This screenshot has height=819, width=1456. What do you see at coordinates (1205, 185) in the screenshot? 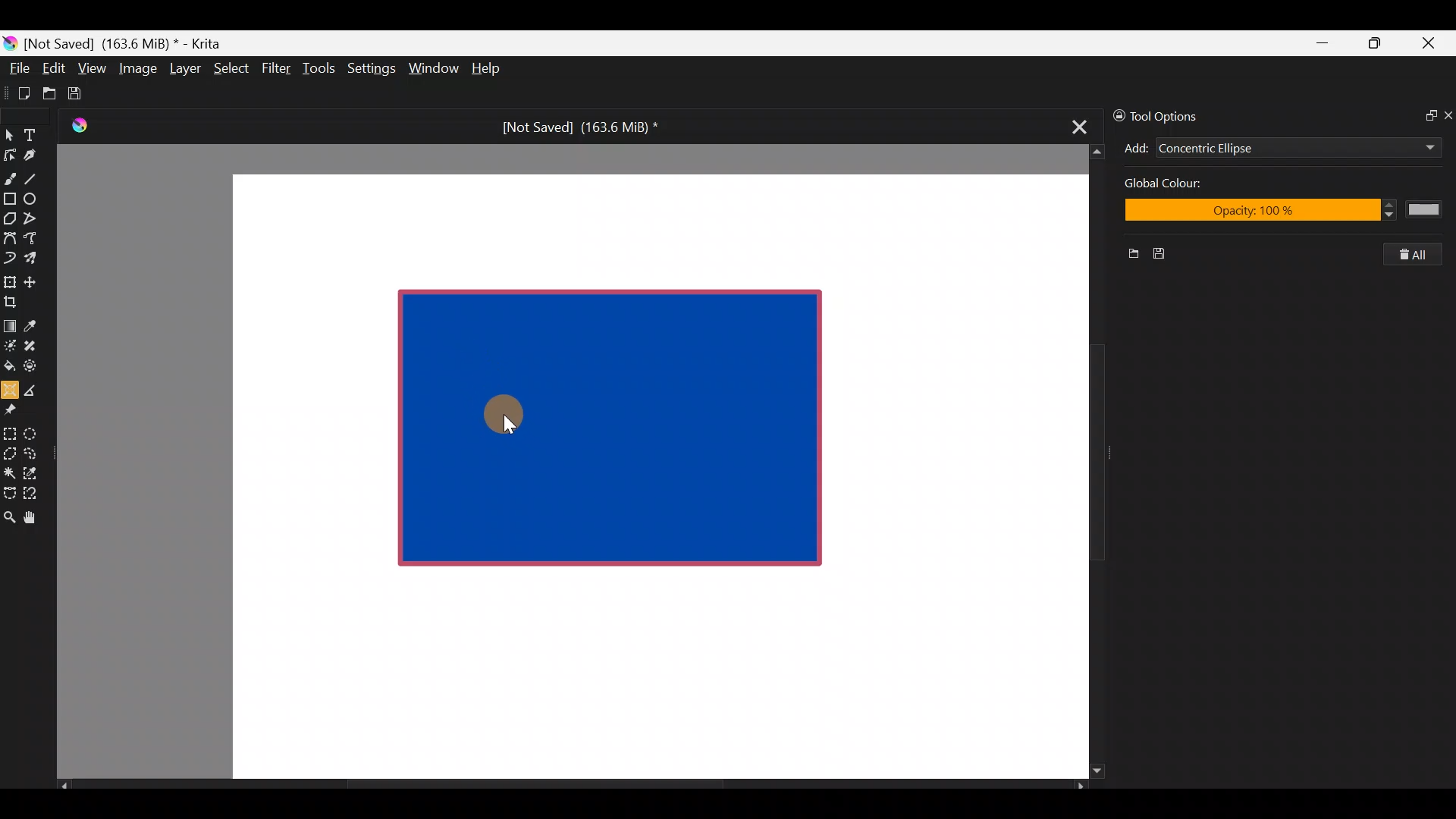
I see `Global color` at bounding box center [1205, 185].